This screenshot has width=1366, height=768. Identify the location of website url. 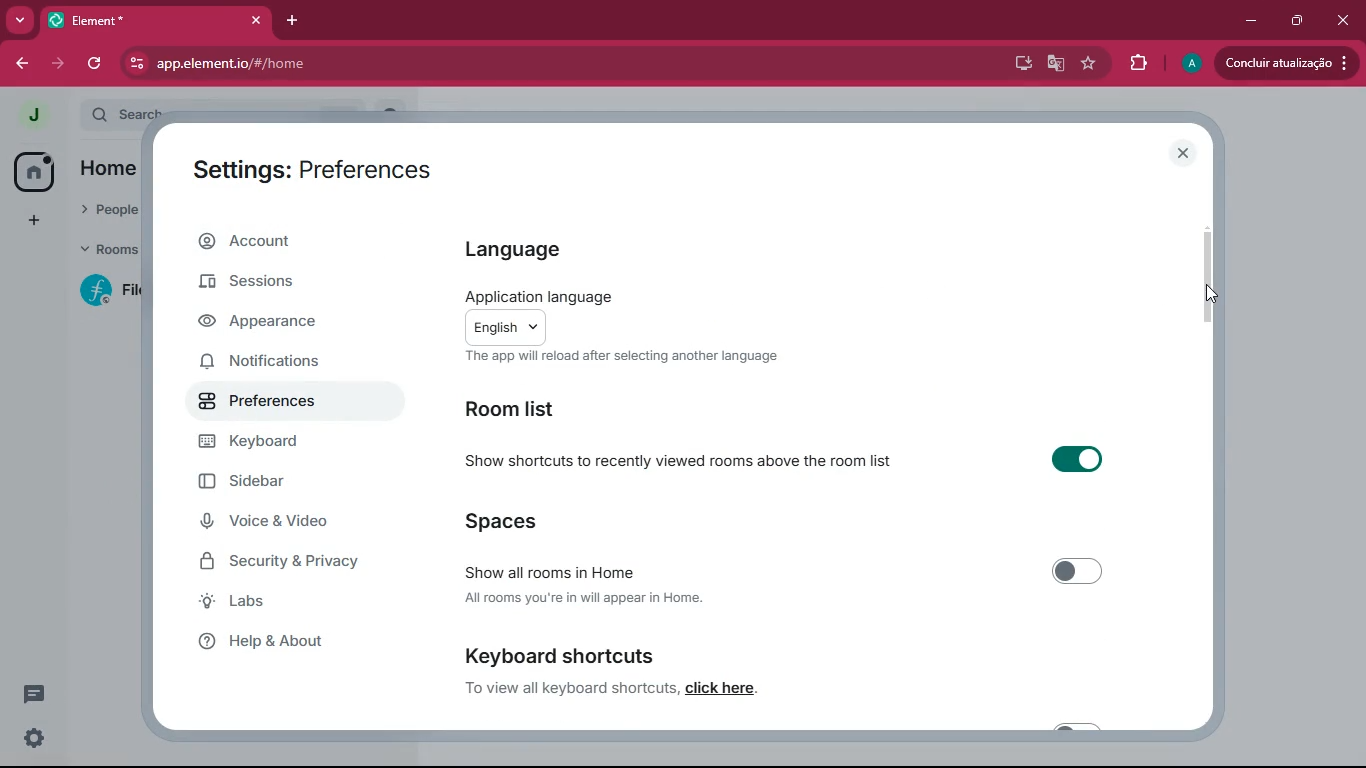
(337, 65).